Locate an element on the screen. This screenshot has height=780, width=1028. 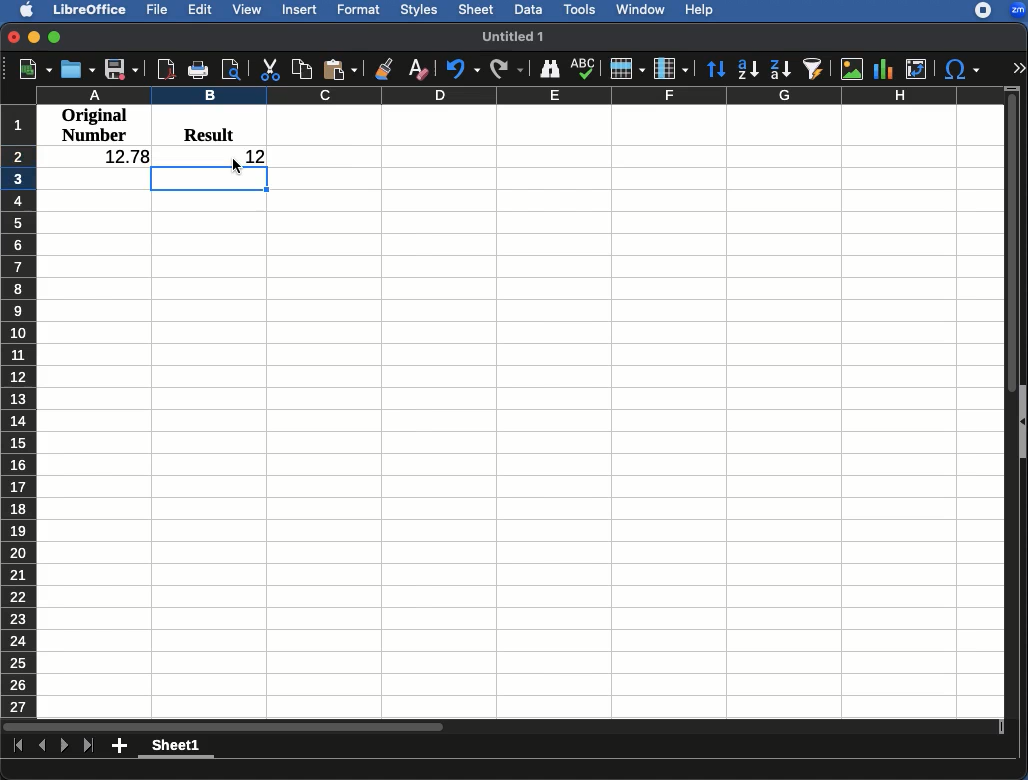
Chart is located at coordinates (885, 67).